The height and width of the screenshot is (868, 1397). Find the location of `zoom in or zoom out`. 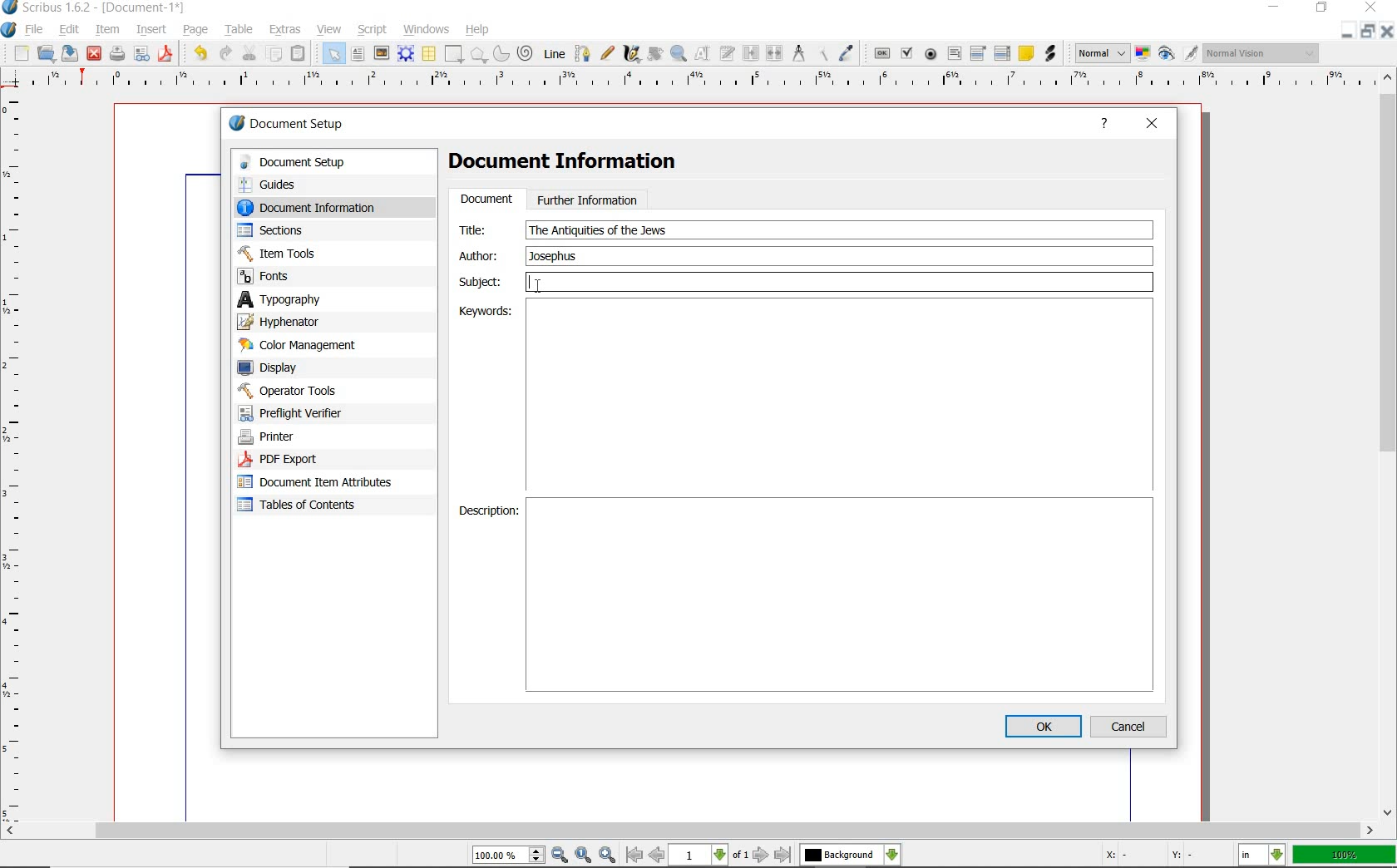

zoom in or zoom out is located at coordinates (679, 55).